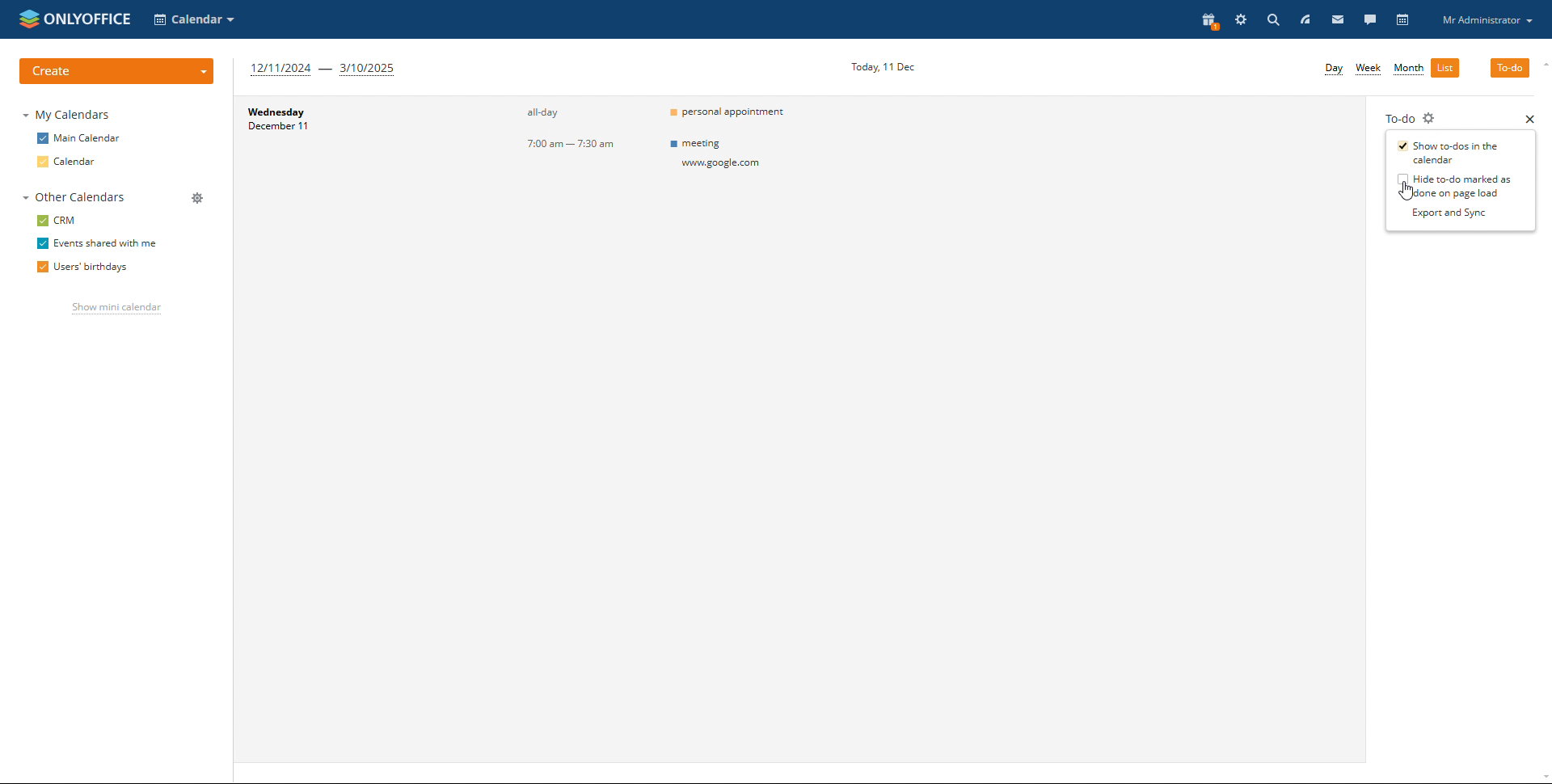  I want to click on , so click(743, 157).